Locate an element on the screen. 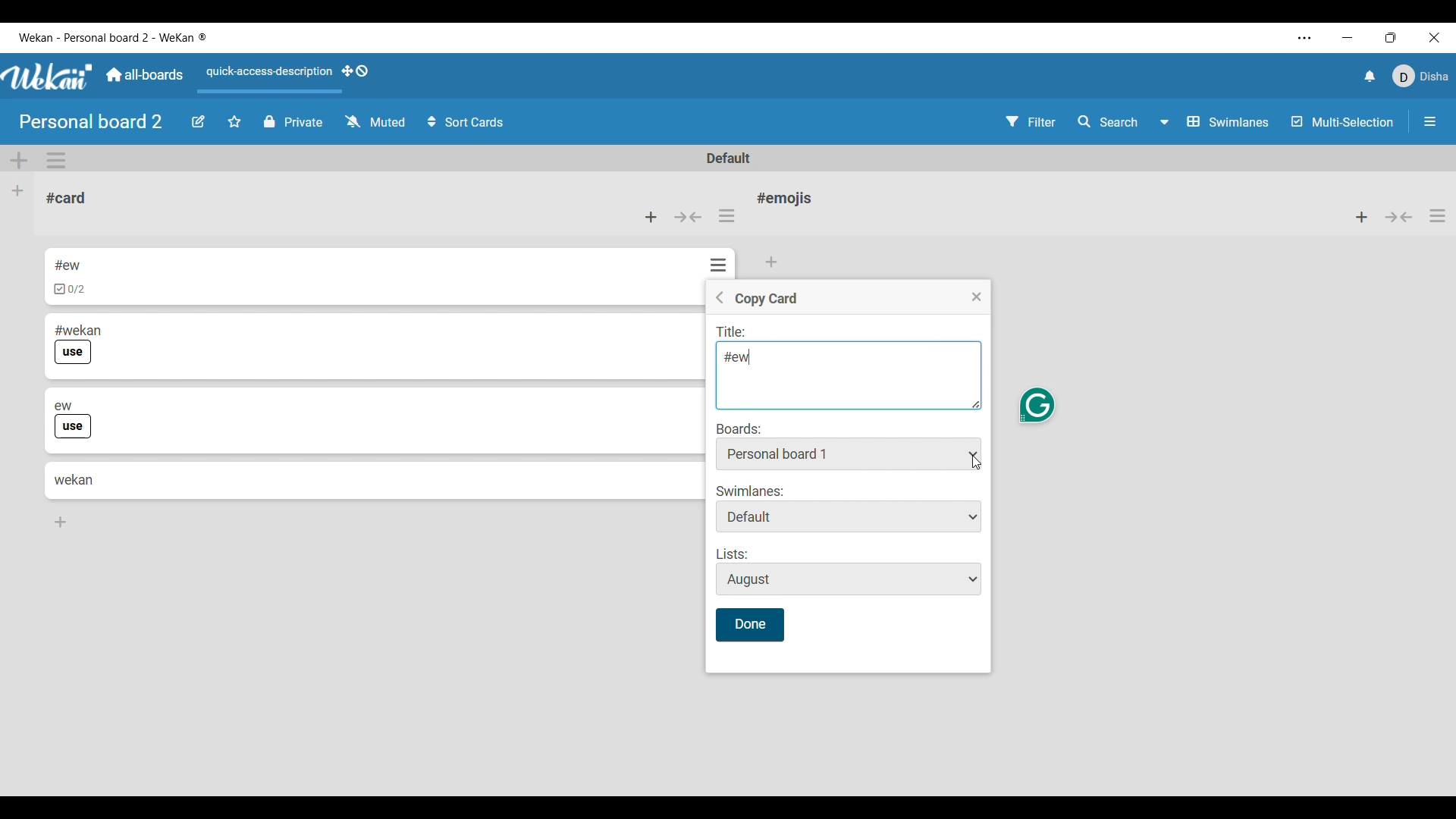 This screenshot has width=1456, height=819. Options is located at coordinates (720, 263).